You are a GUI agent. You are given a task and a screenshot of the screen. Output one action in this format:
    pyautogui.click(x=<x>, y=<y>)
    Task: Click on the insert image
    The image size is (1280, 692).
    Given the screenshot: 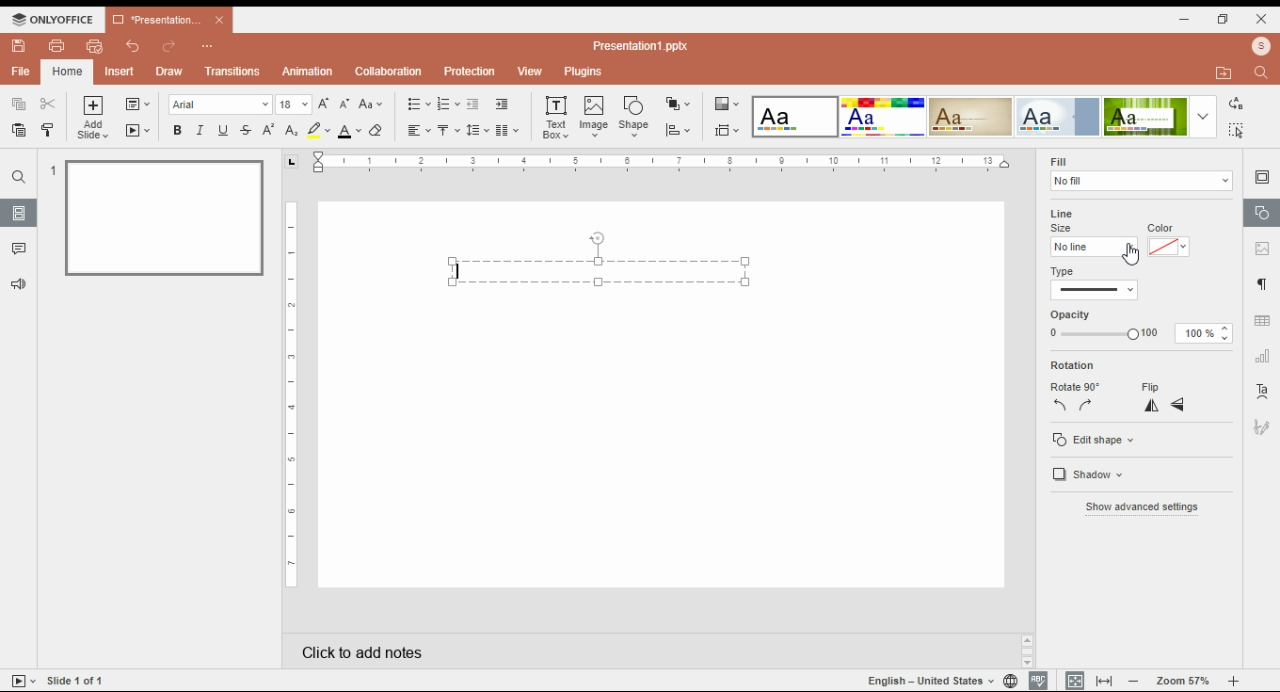 What is the action you would take?
    pyautogui.click(x=595, y=118)
    